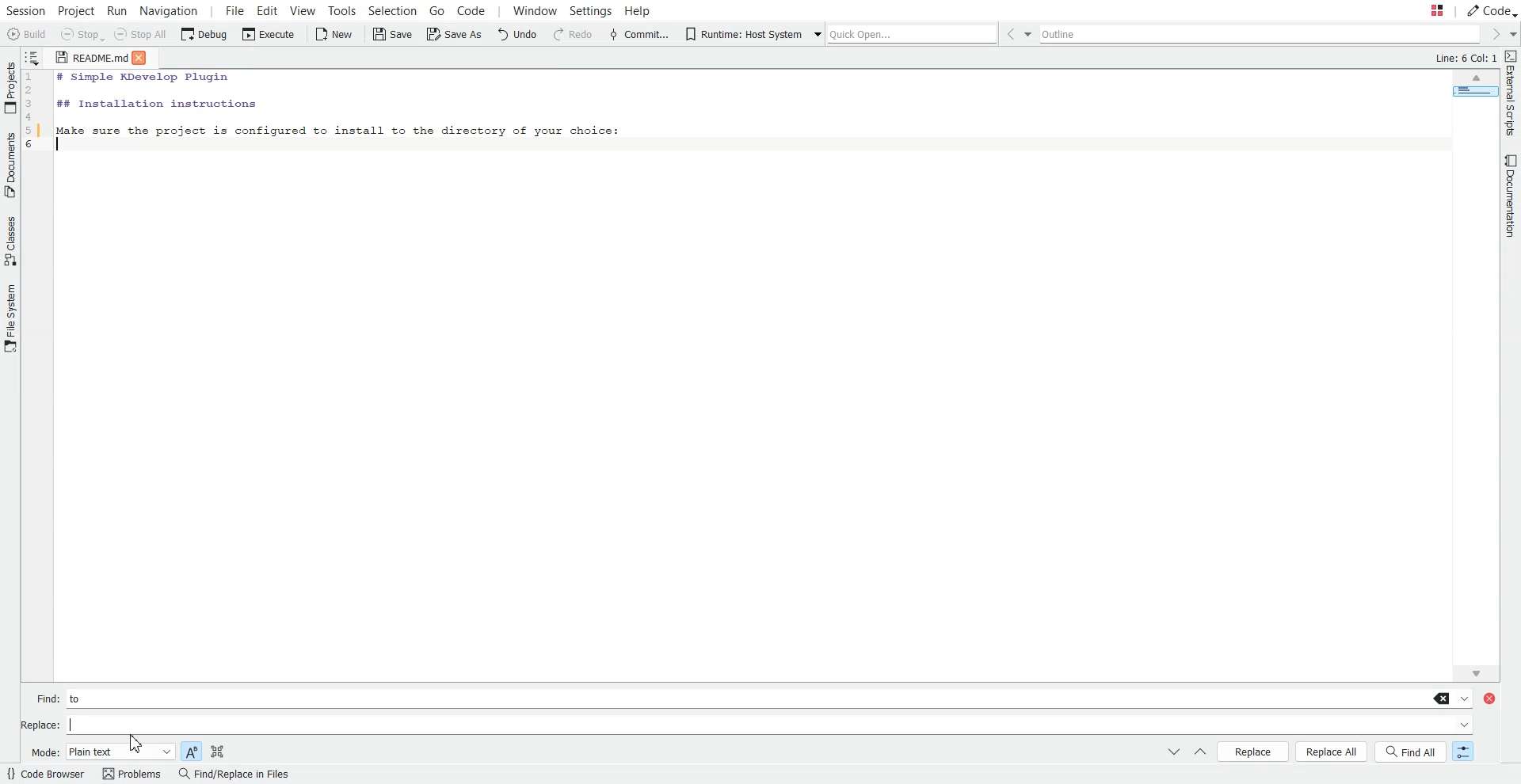 Image resolution: width=1521 pixels, height=784 pixels. I want to click on Find/Replace in Files, so click(233, 774).